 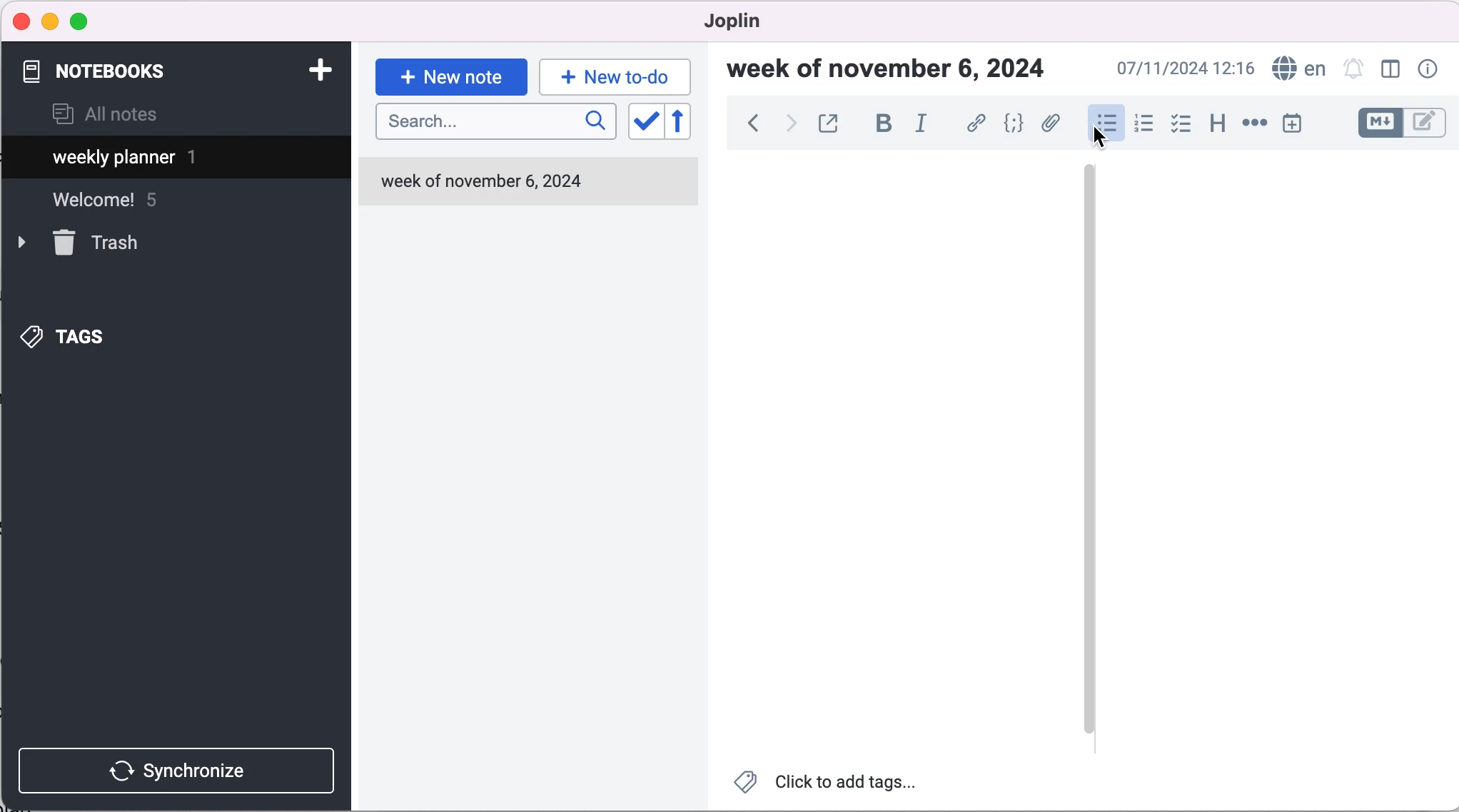 I want to click on trash, so click(x=101, y=243).